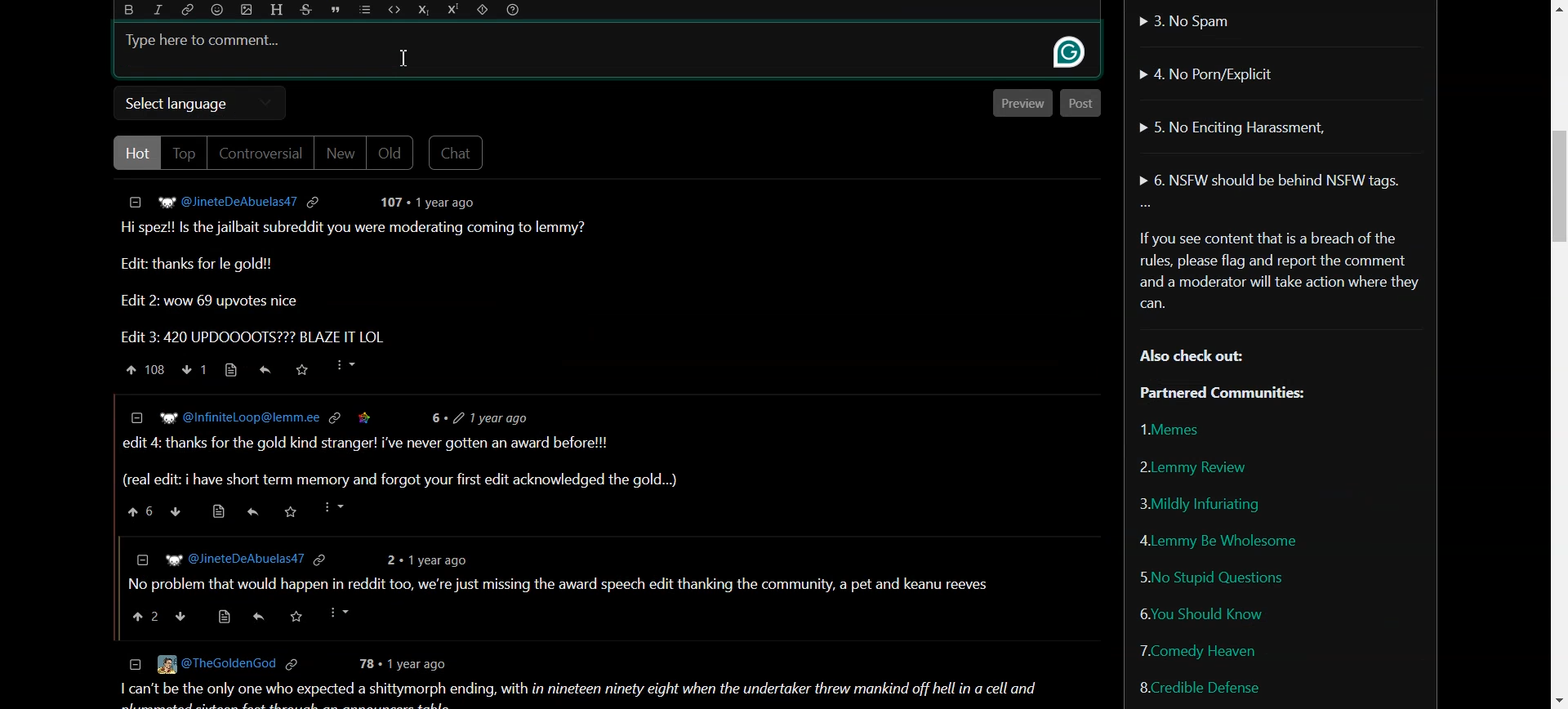 This screenshot has height=709, width=1568. What do you see at coordinates (298, 616) in the screenshot?
I see `` at bounding box center [298, 616].